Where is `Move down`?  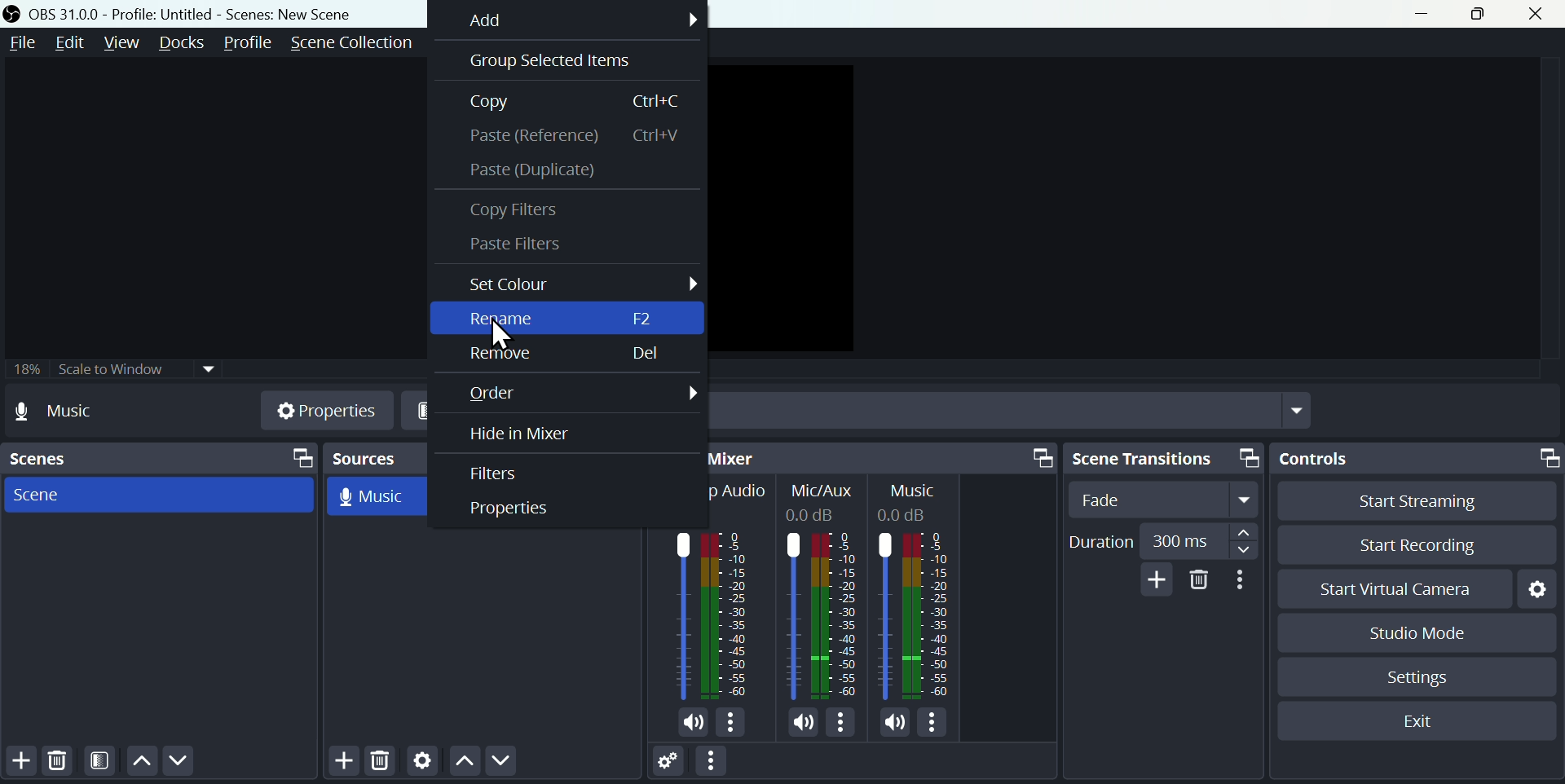
Move down is located at coordinates (181, 762).